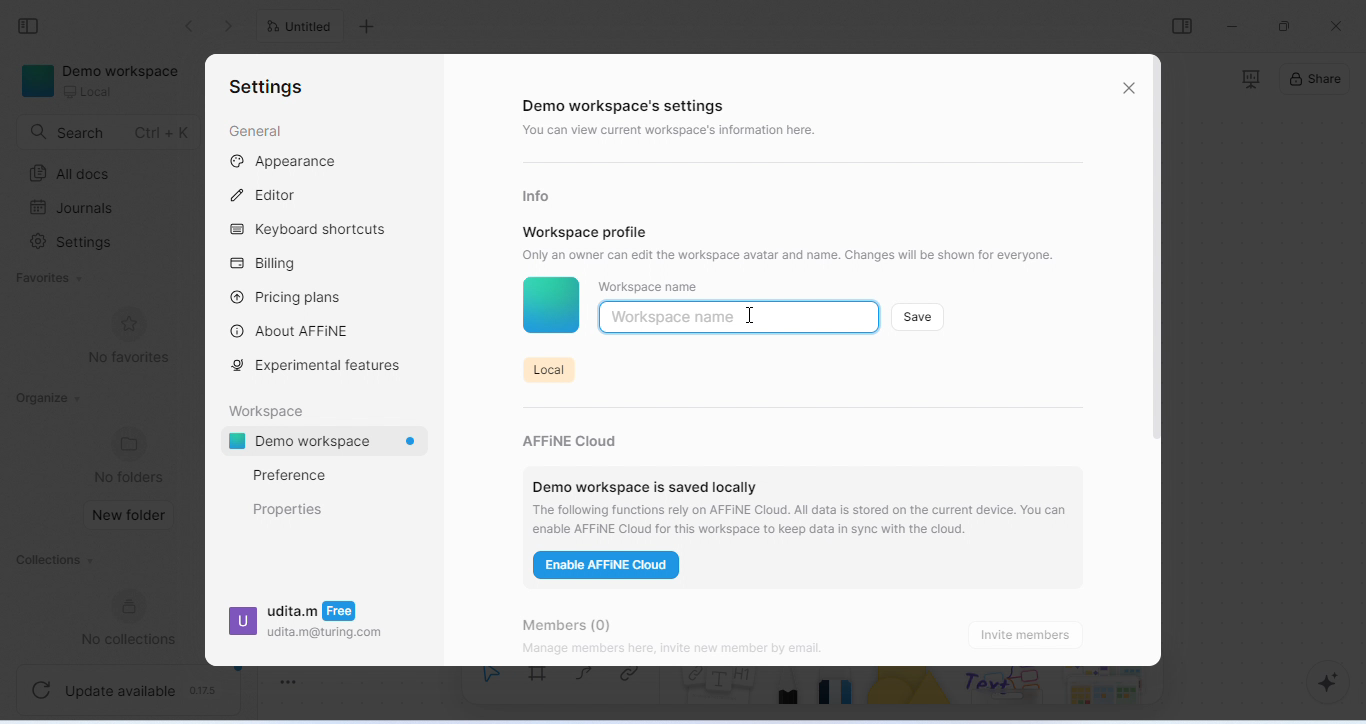  Describe the element at coordinates (649, 287) in the screenshot. I see `workspace name` at that location.